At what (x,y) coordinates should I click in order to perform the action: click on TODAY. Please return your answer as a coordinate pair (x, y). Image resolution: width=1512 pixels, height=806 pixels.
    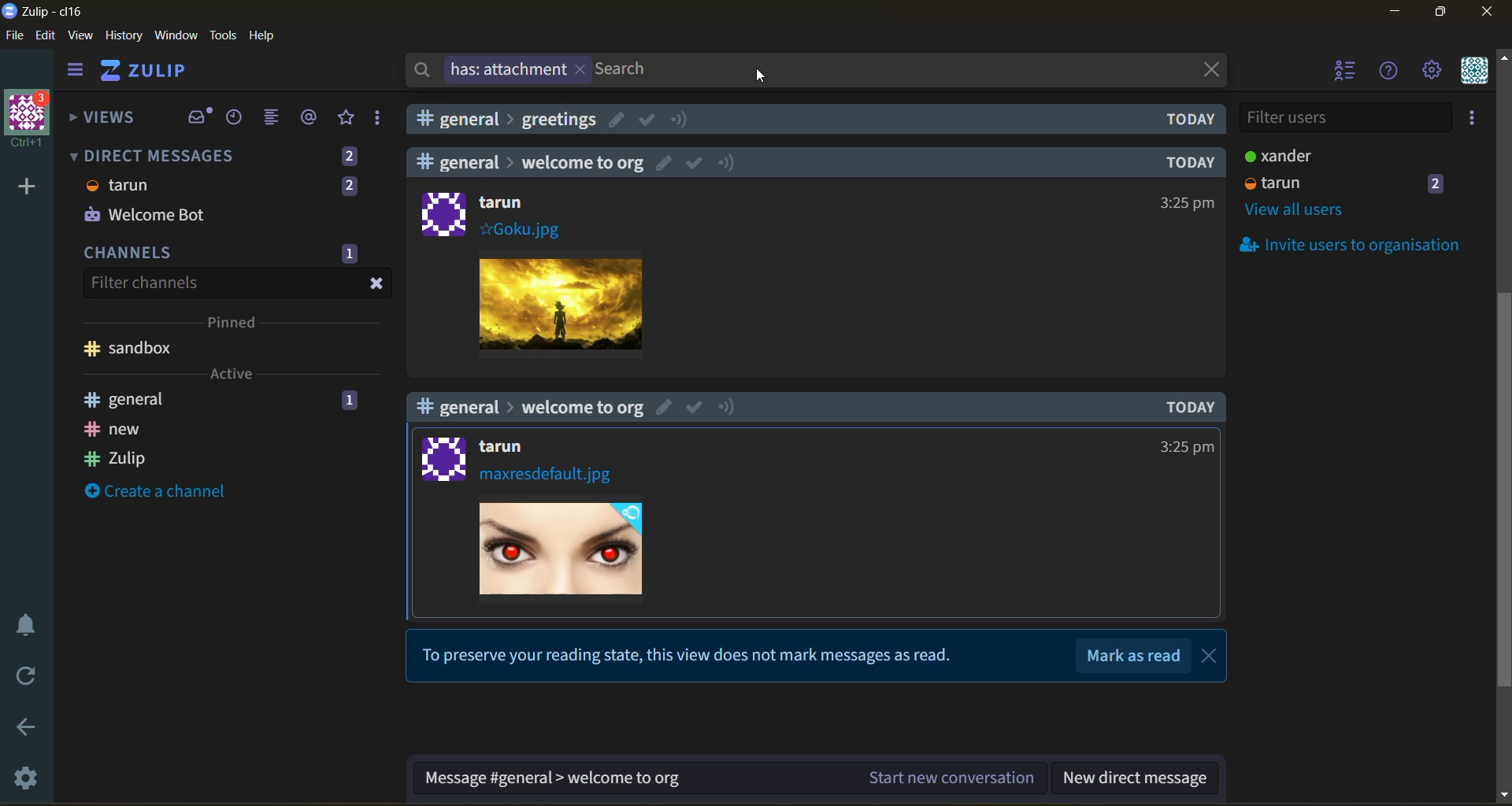
    Looking at the image, I should click on (1192, 120).